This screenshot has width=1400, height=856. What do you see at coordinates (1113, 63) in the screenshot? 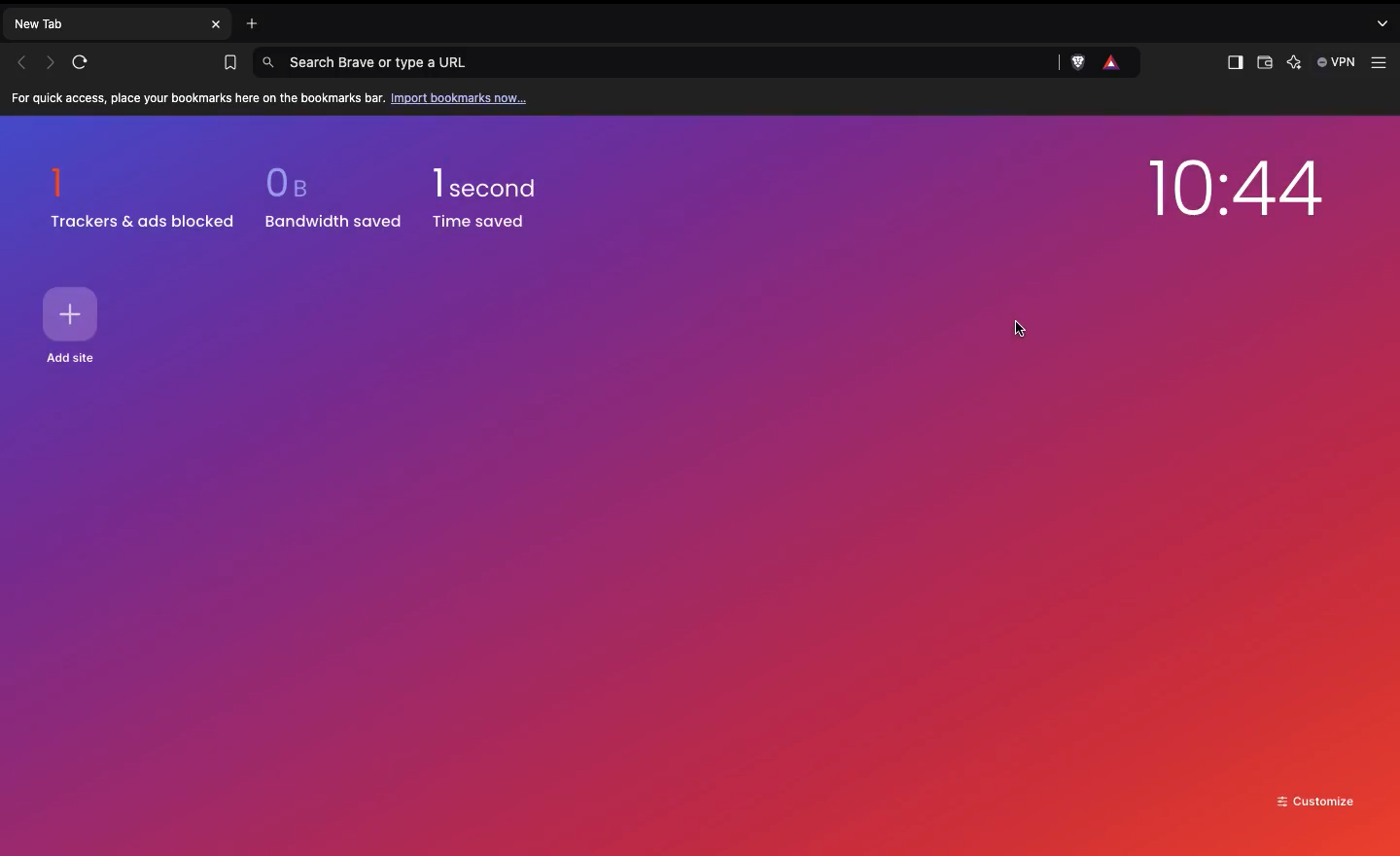
I see `Rewards` at bounding box center [1113, 63].